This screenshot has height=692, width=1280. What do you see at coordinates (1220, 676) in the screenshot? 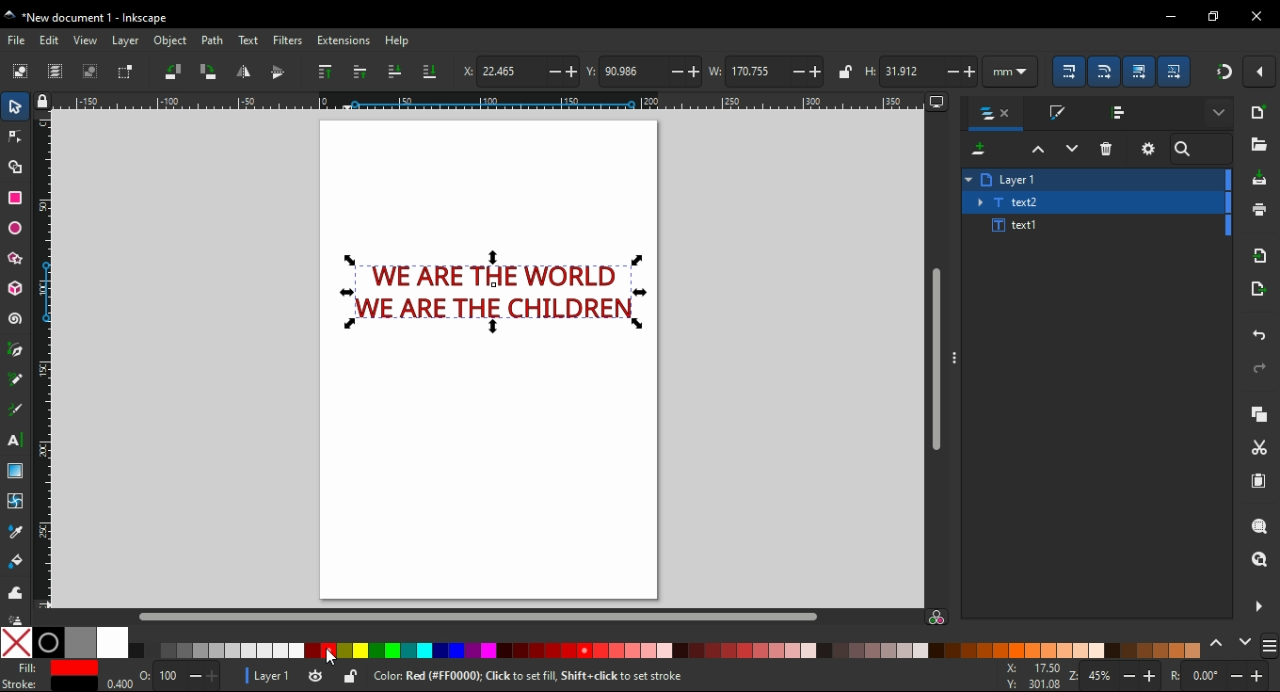
I see `rotation` at bounding box center [1220, 676].